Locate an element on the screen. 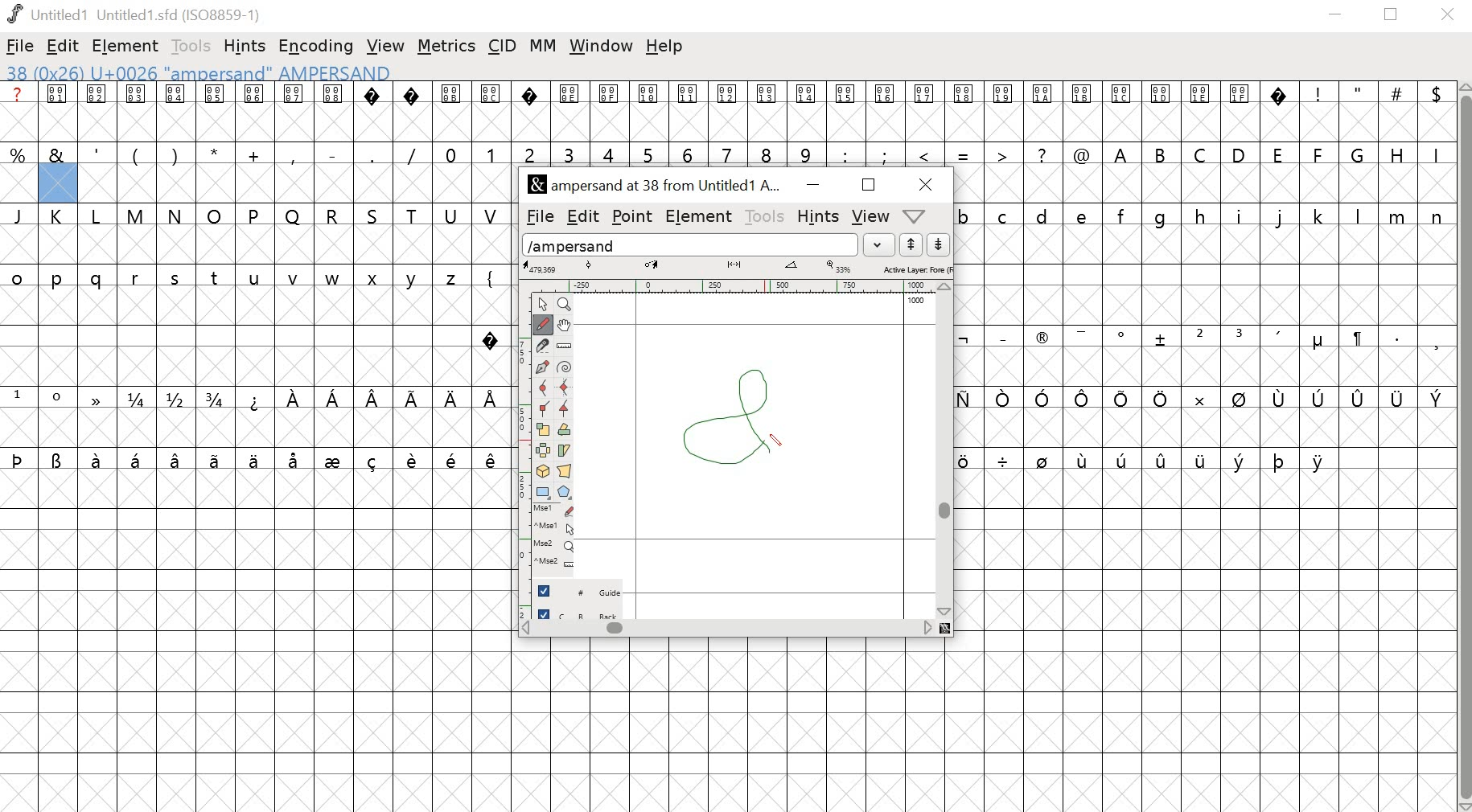  symbol is located at coordinates (1043, 397).